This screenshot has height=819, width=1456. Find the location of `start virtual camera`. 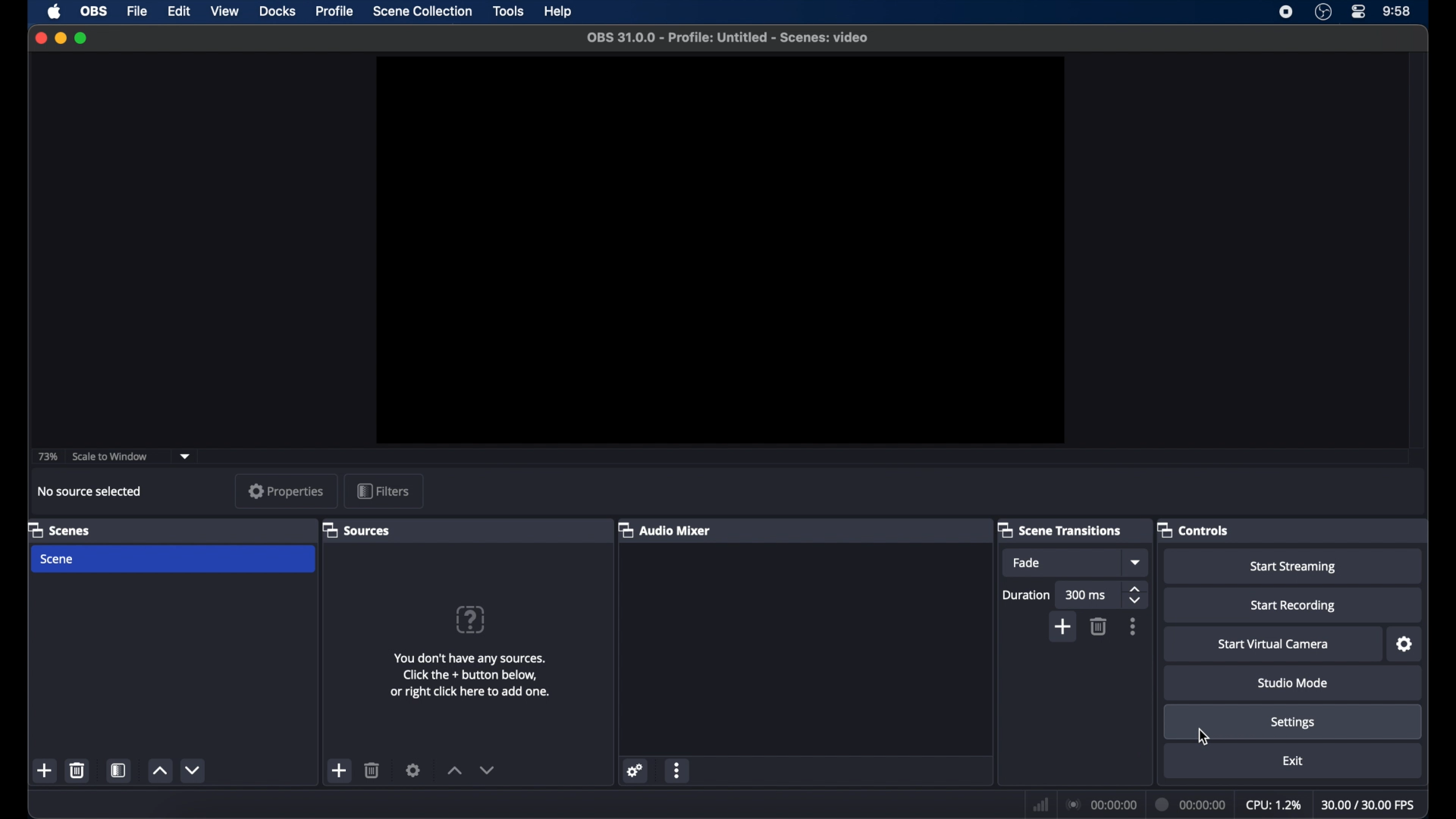

start virtual camera is located at coordinates (1274, 645).